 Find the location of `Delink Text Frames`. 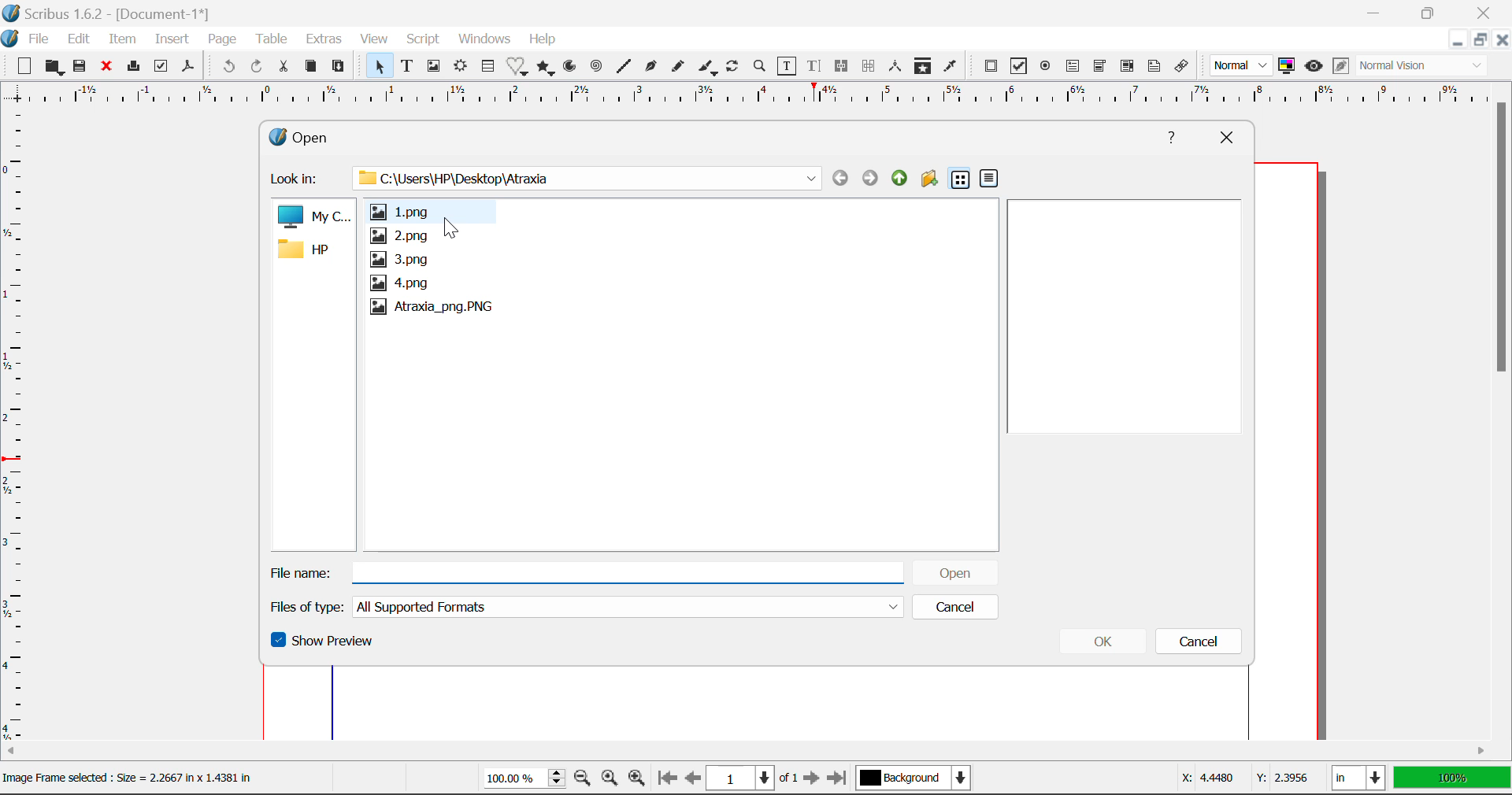

Delink Text Frames is located at coordinates (870, 66).